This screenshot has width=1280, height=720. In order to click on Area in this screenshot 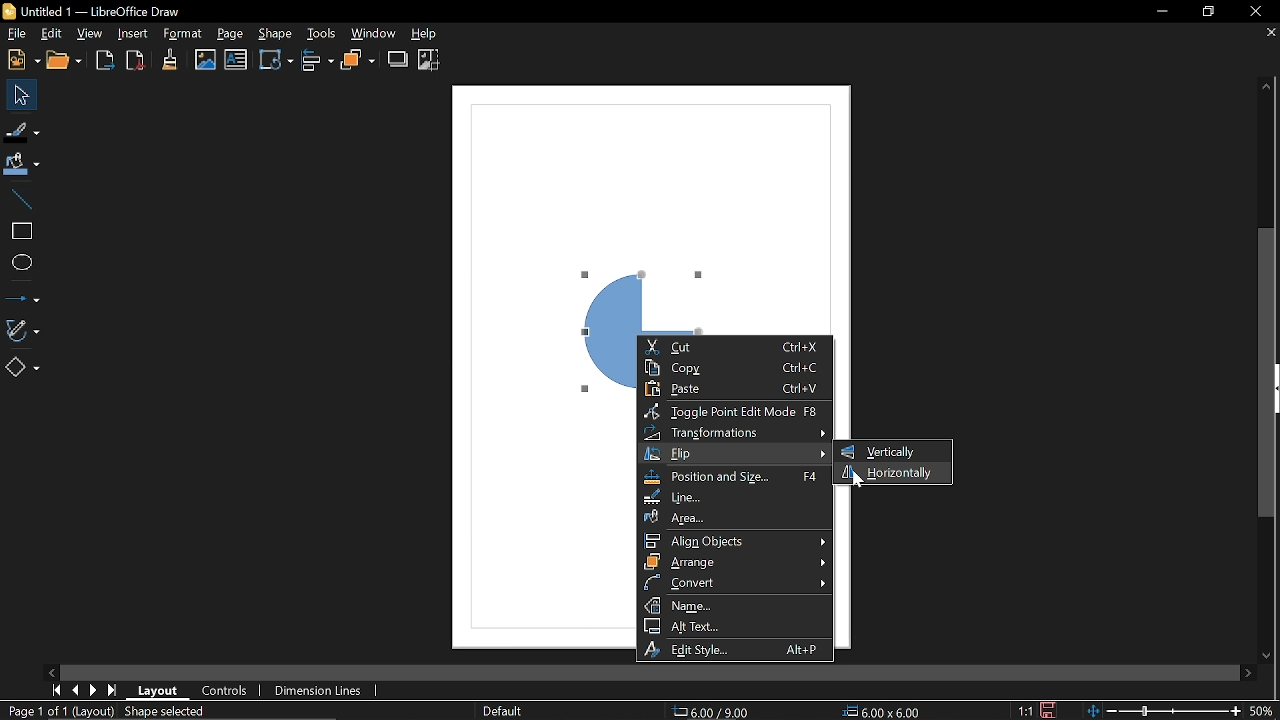, I will do `click(733, 518)`.